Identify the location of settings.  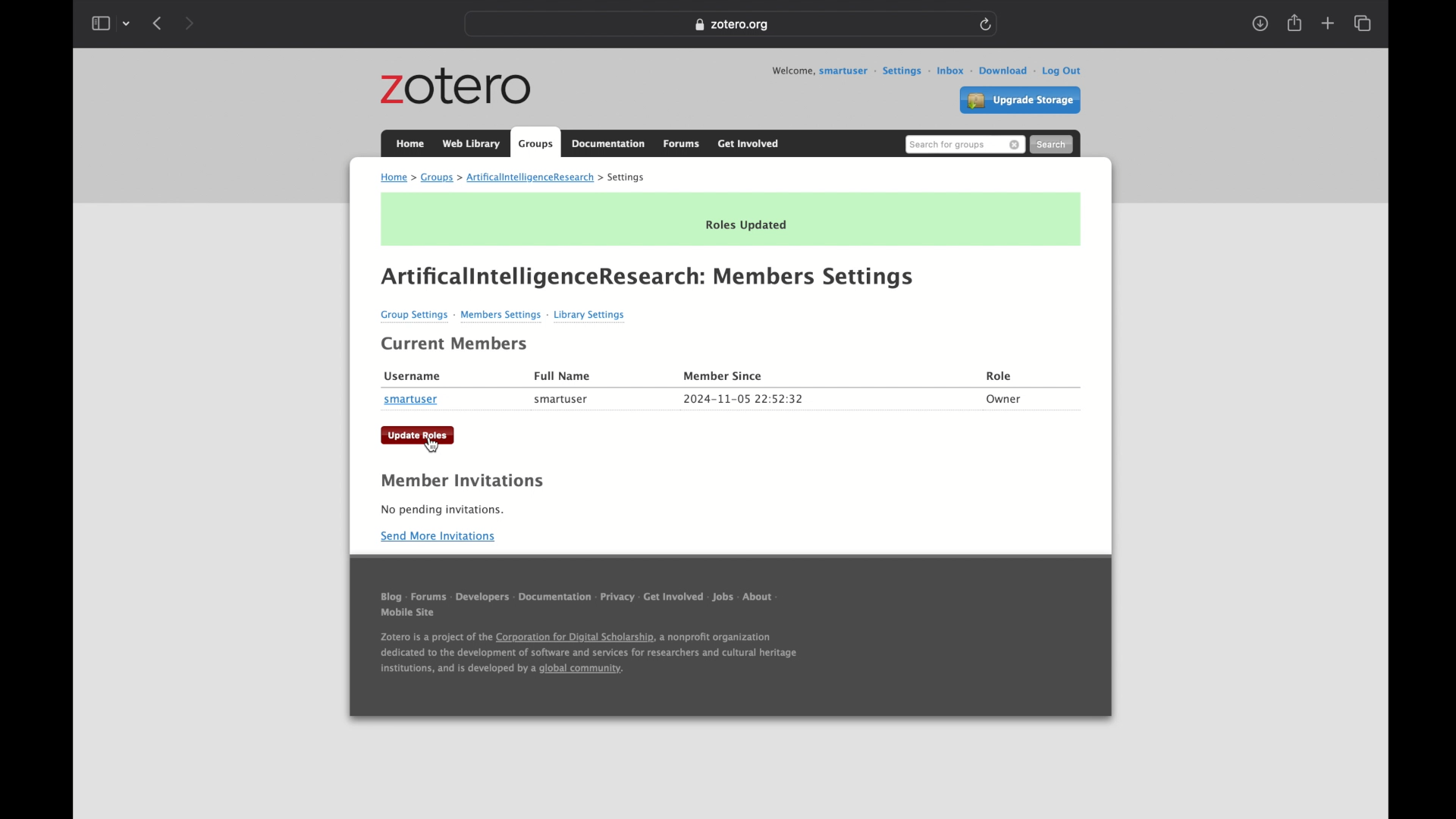
(623, 177).